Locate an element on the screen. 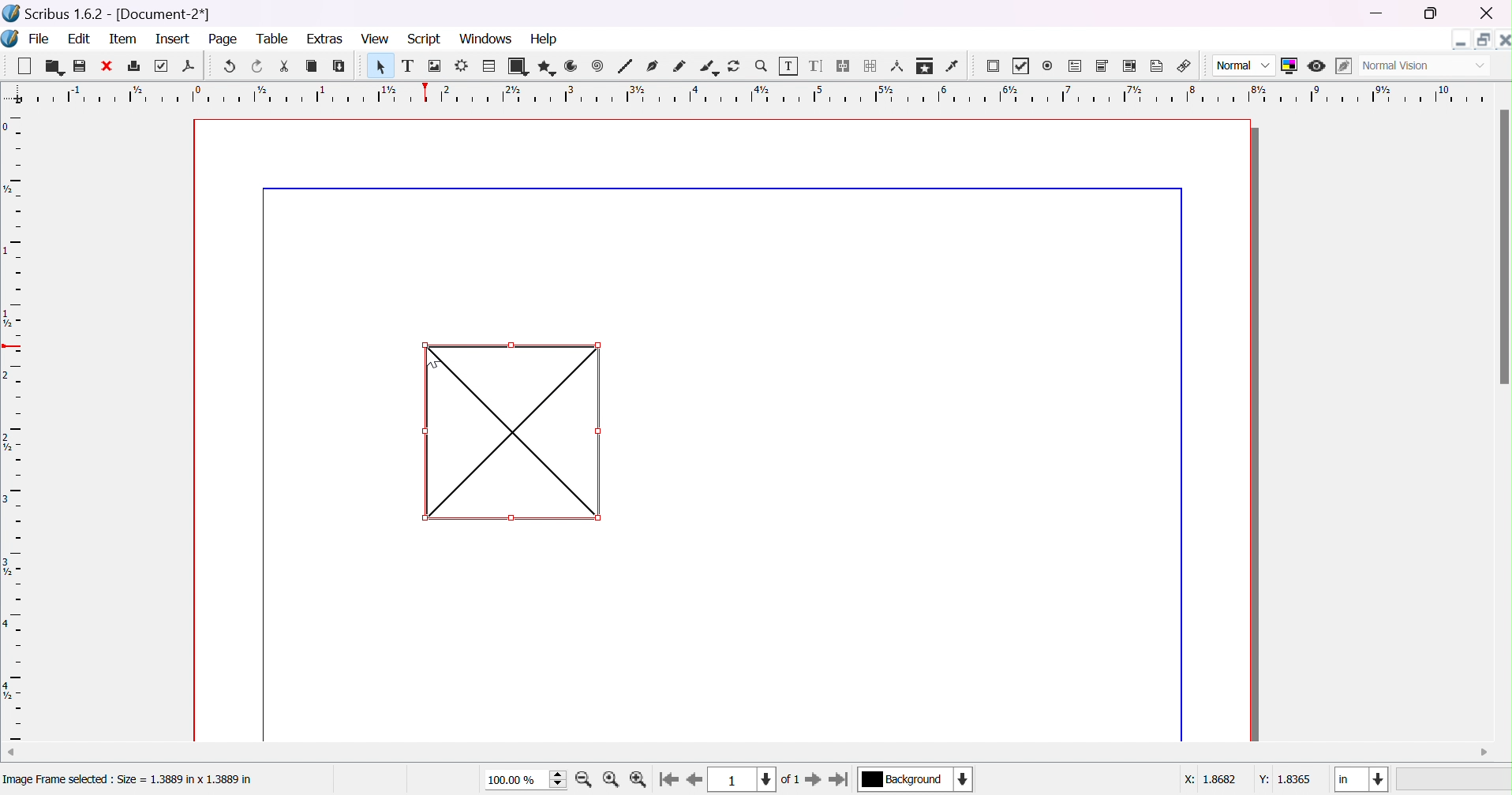  Image Frame is located at coordinates (512, 431).